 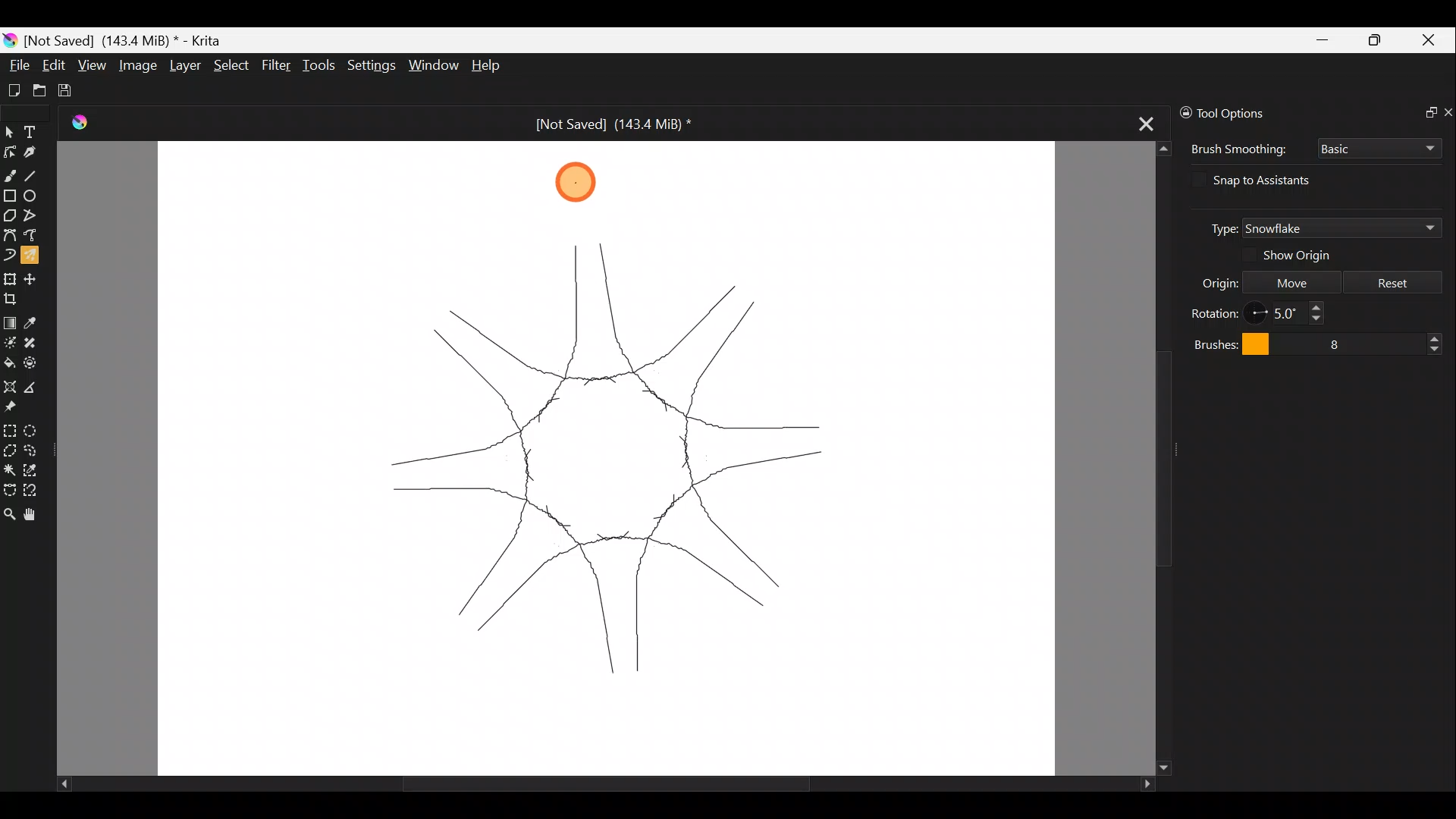 What do you see at coordinates (1320, 40) in the screenshot?
I see `Minimize` at bounding box center [1320, 40].